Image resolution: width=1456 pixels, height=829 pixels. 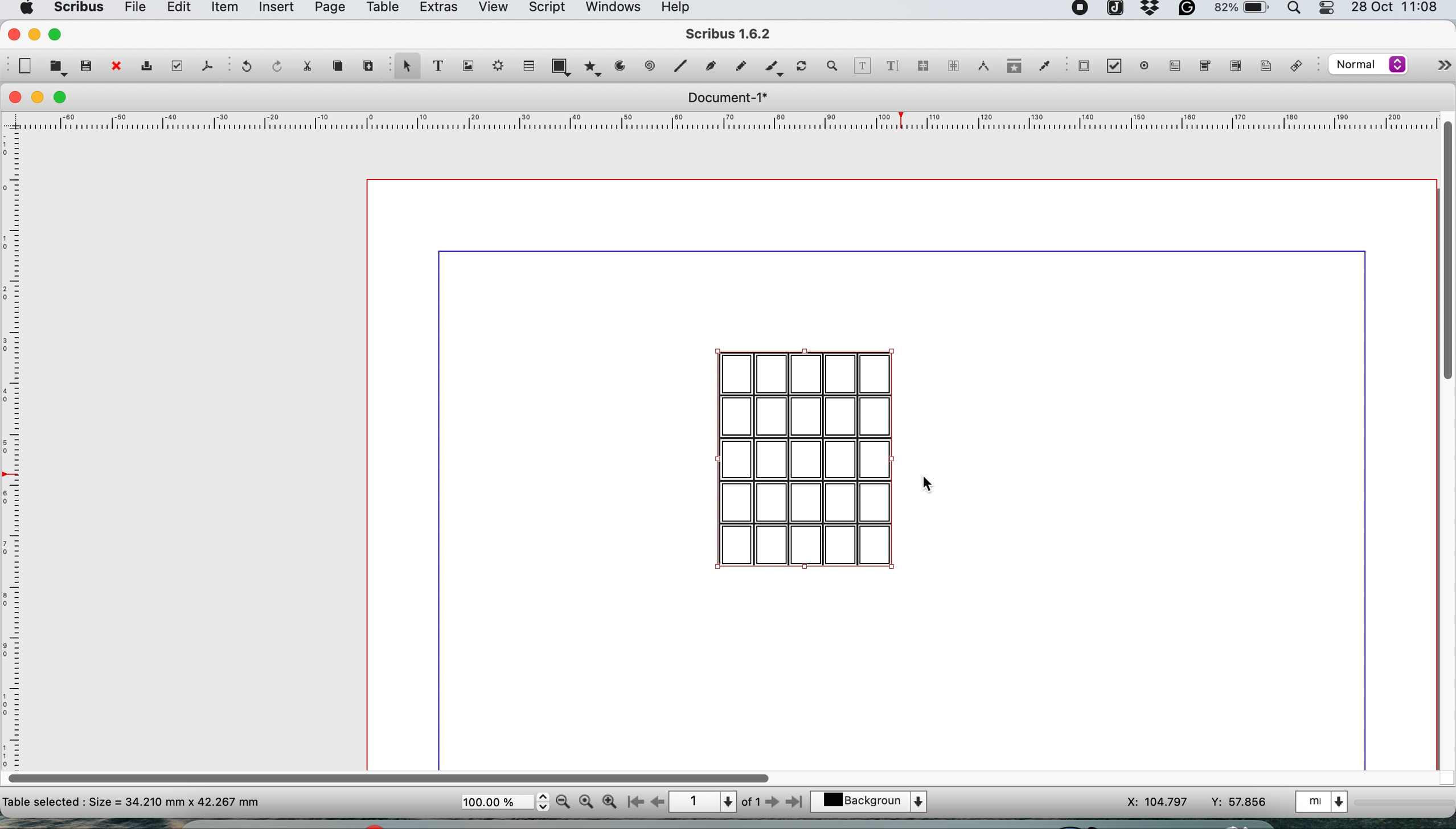 What do you see at coordinates (803, 67) in the screenshot?
I see `rotate` at bounding box center [803, 67].